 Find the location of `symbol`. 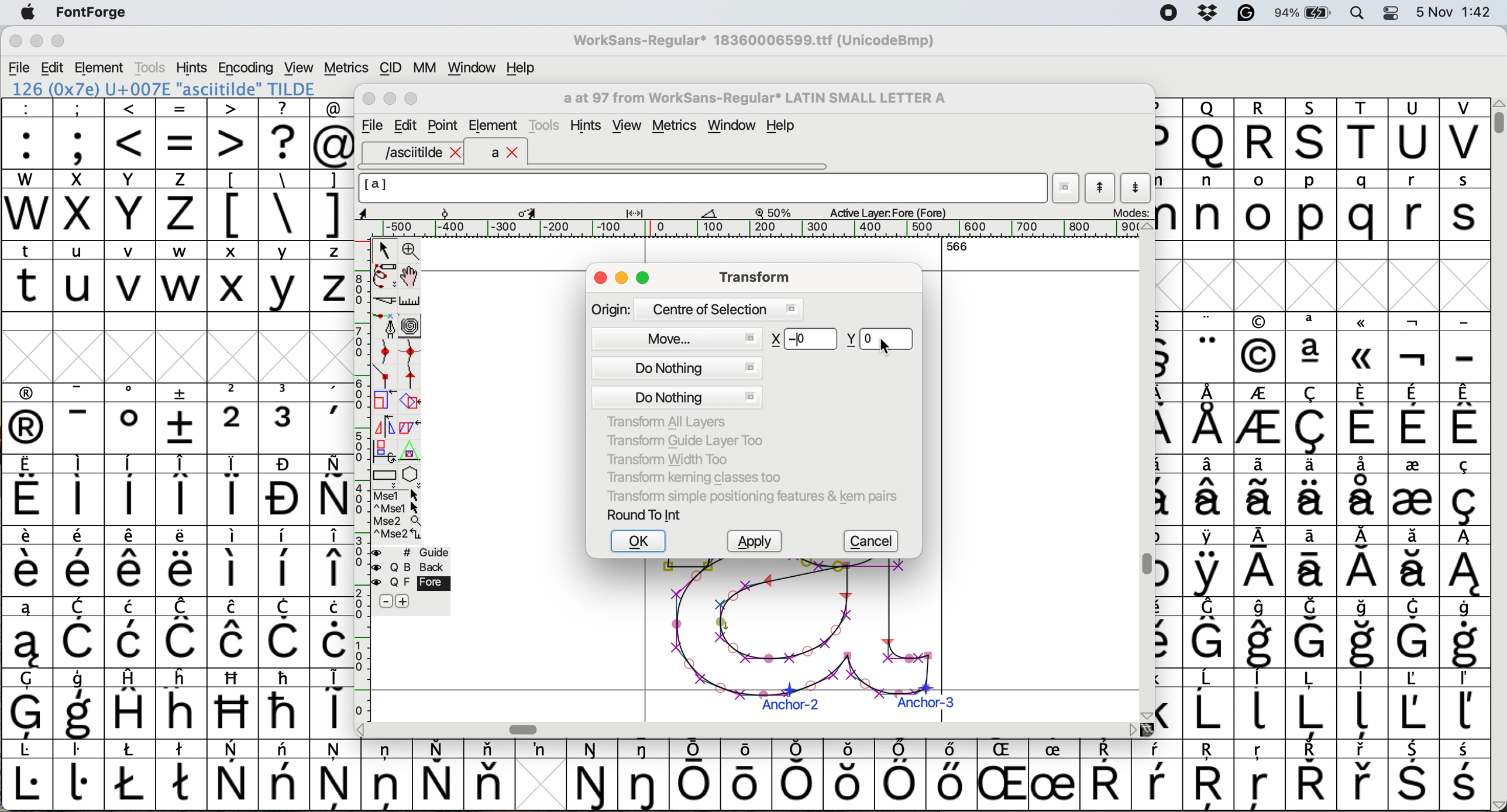

symbol is located at coordinates (133, 632).